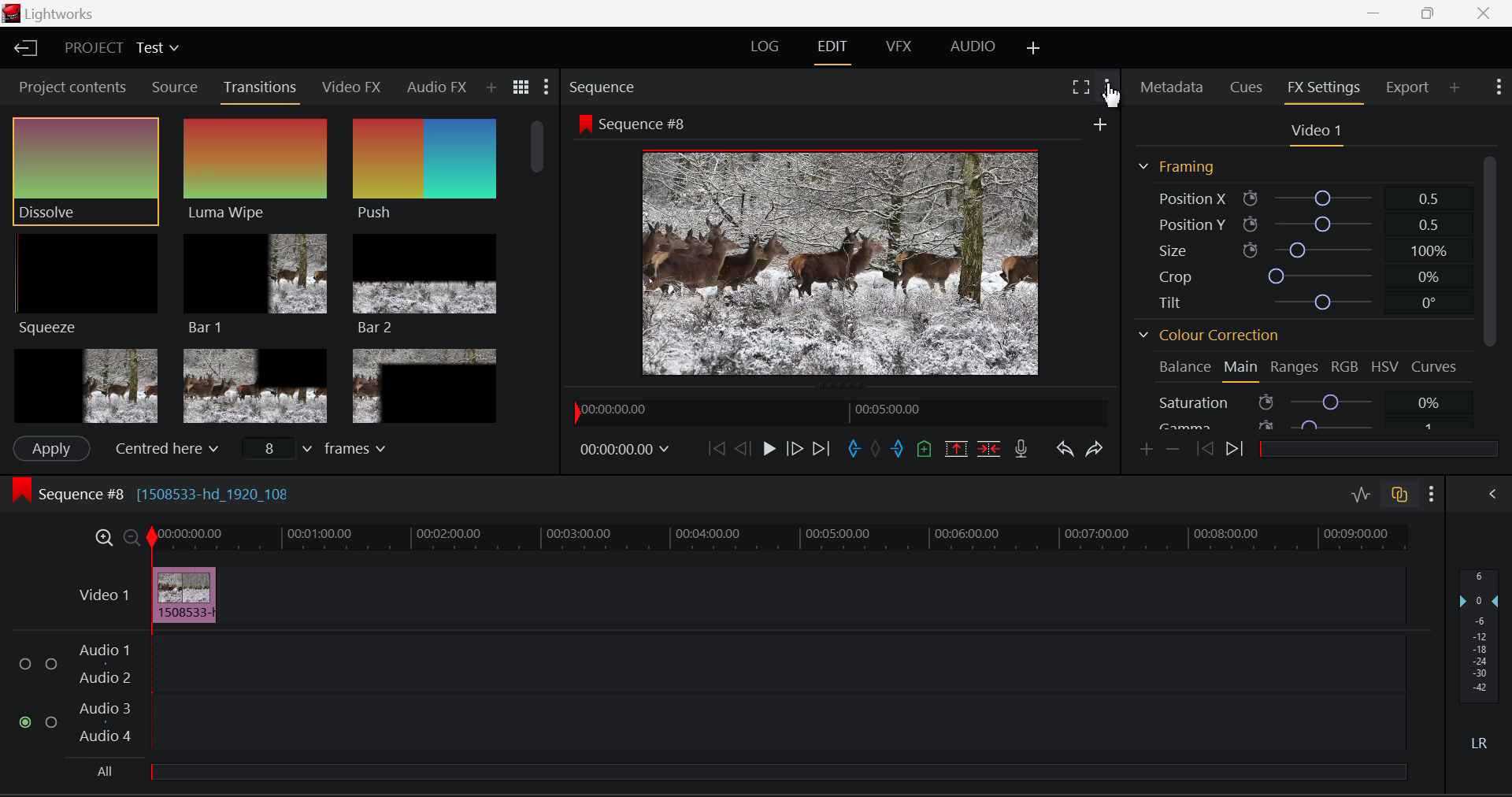 This screenshot has width=1512, height=797. What do you see at coordinates (424, 386) in the screenshot?
I see `Box 3` at bounding box center [424, 386].